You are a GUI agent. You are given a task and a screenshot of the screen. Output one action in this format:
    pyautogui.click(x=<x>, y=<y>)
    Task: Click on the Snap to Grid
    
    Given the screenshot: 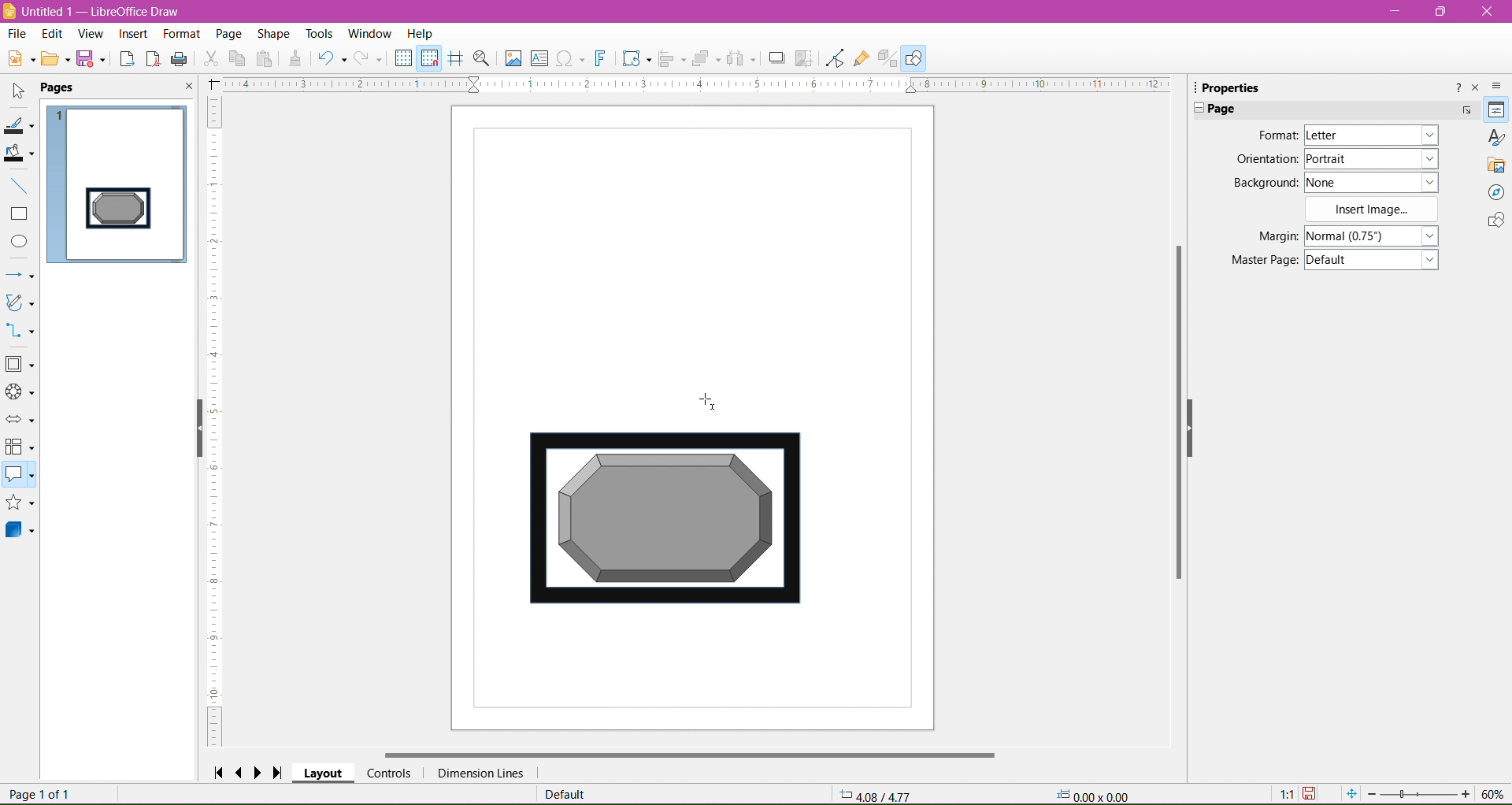 What is the action you would take?
    pyautogui.click(x=430, y=59)
    